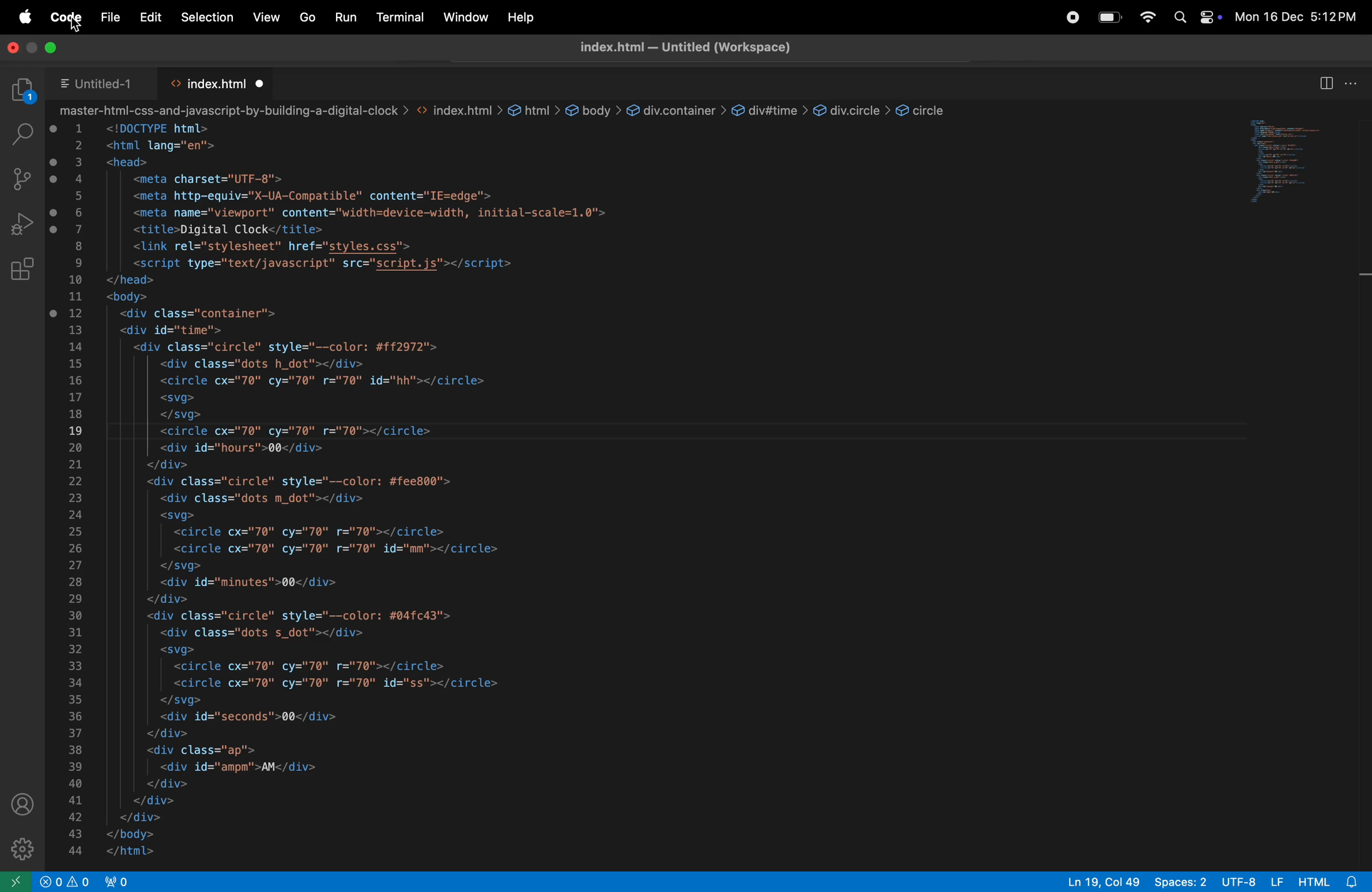 This screenshot has width=1372, height=892. Describe the element at coordinates (228, 229) in the screenshot. I see `<title>Digital Clock</title>` at that location.